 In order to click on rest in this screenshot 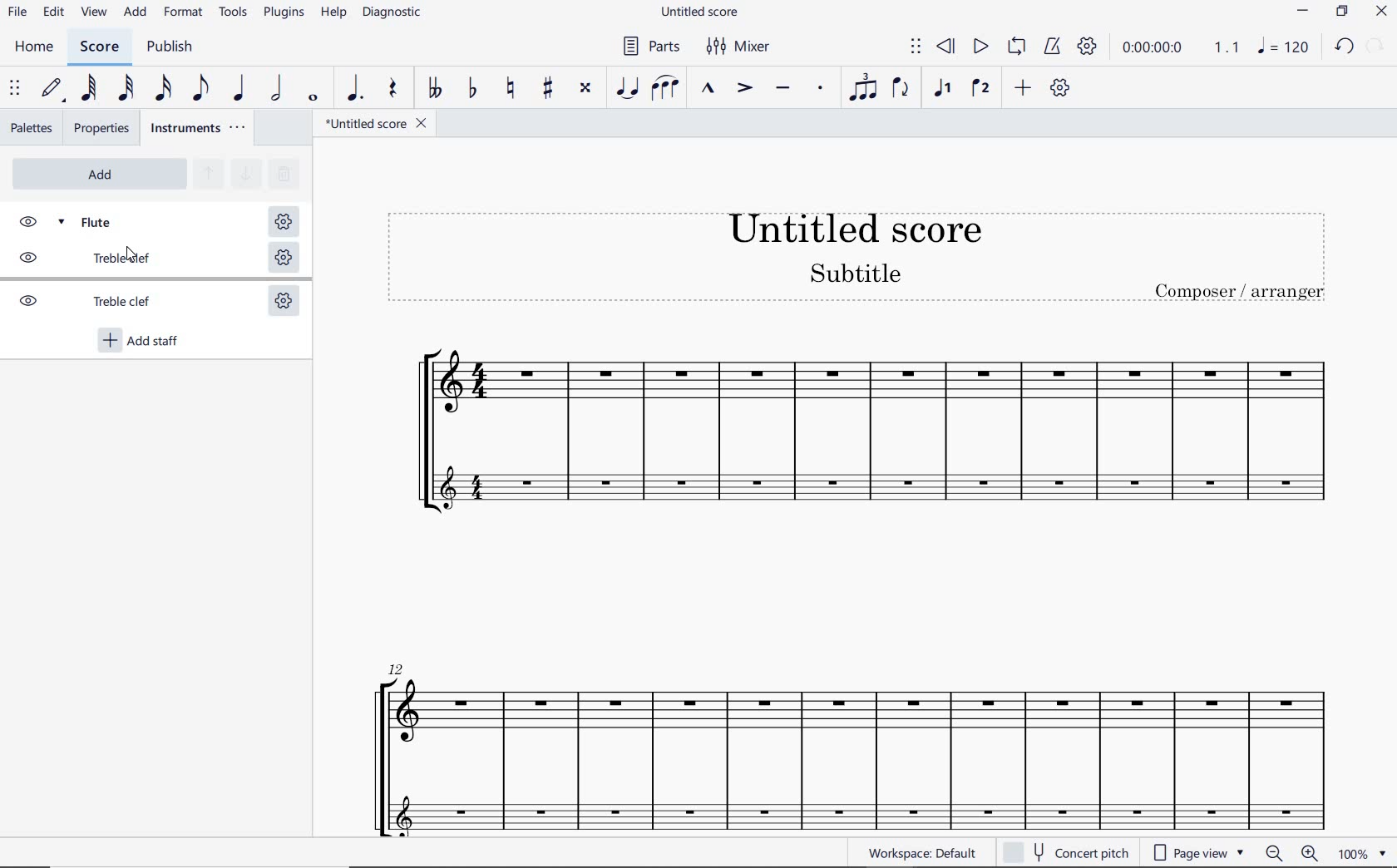, I will do `click(391, 91)`.